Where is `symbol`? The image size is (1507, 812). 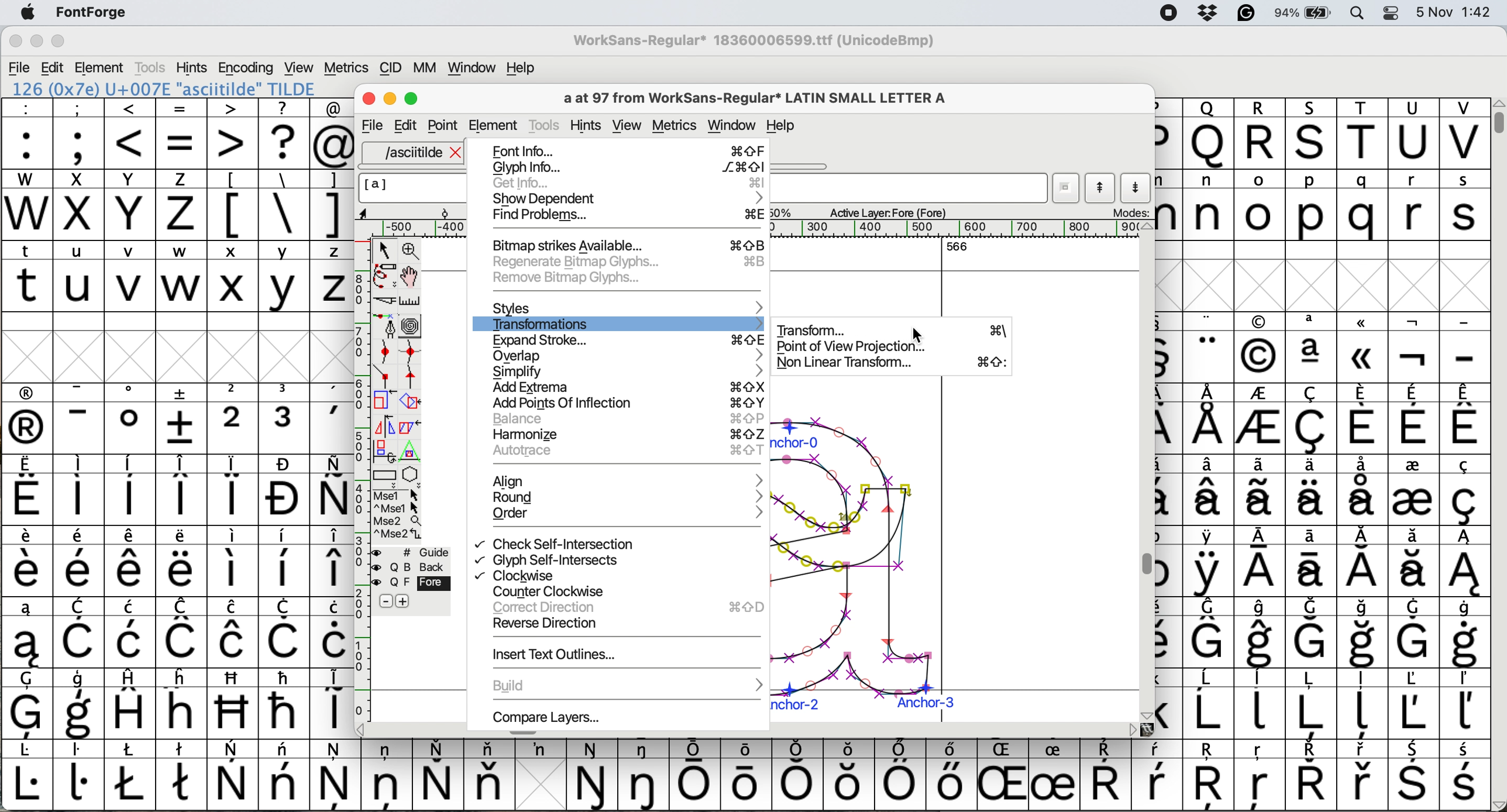
symbol is located at coordinates (284, 562).